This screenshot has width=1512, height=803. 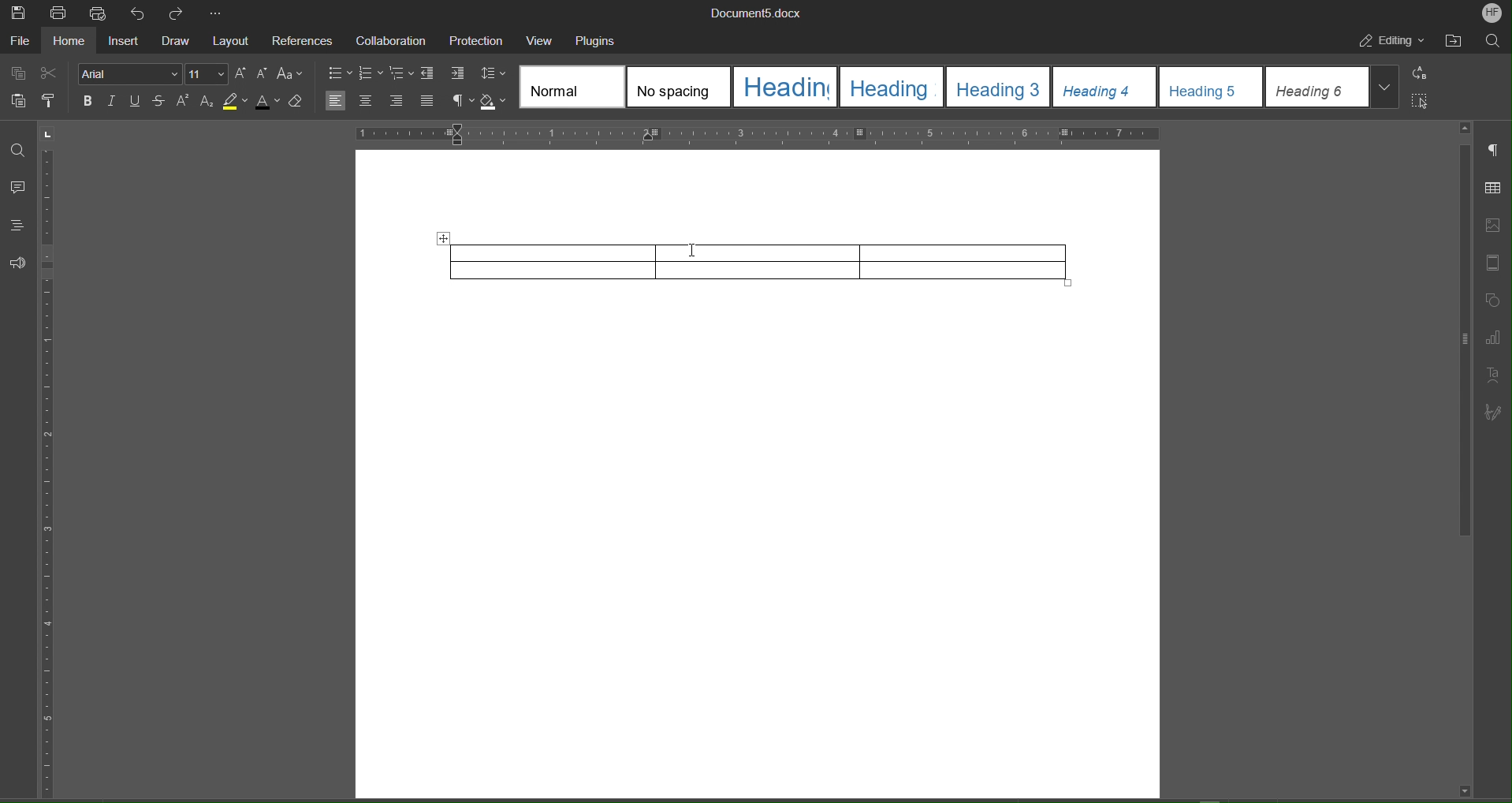 I want to click on Strikethrough, so click(x=160, y=102).